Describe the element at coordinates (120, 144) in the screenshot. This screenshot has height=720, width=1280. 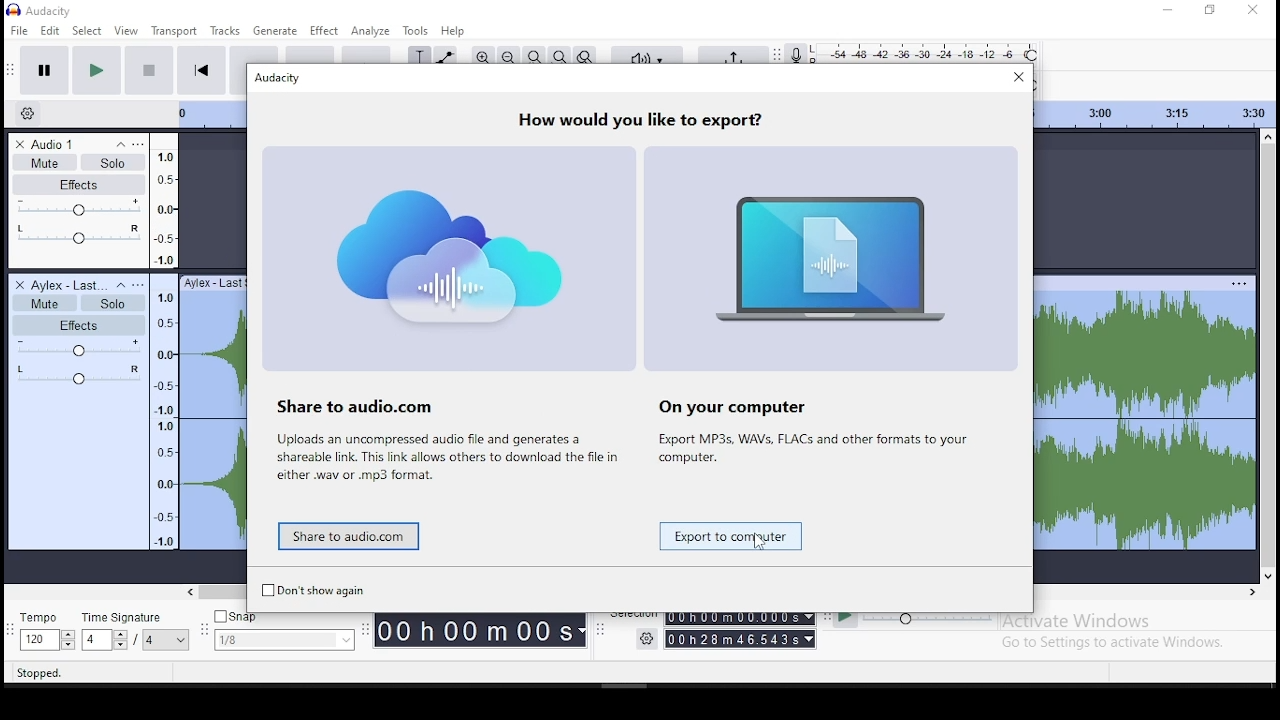
I see `collapse` at that location.